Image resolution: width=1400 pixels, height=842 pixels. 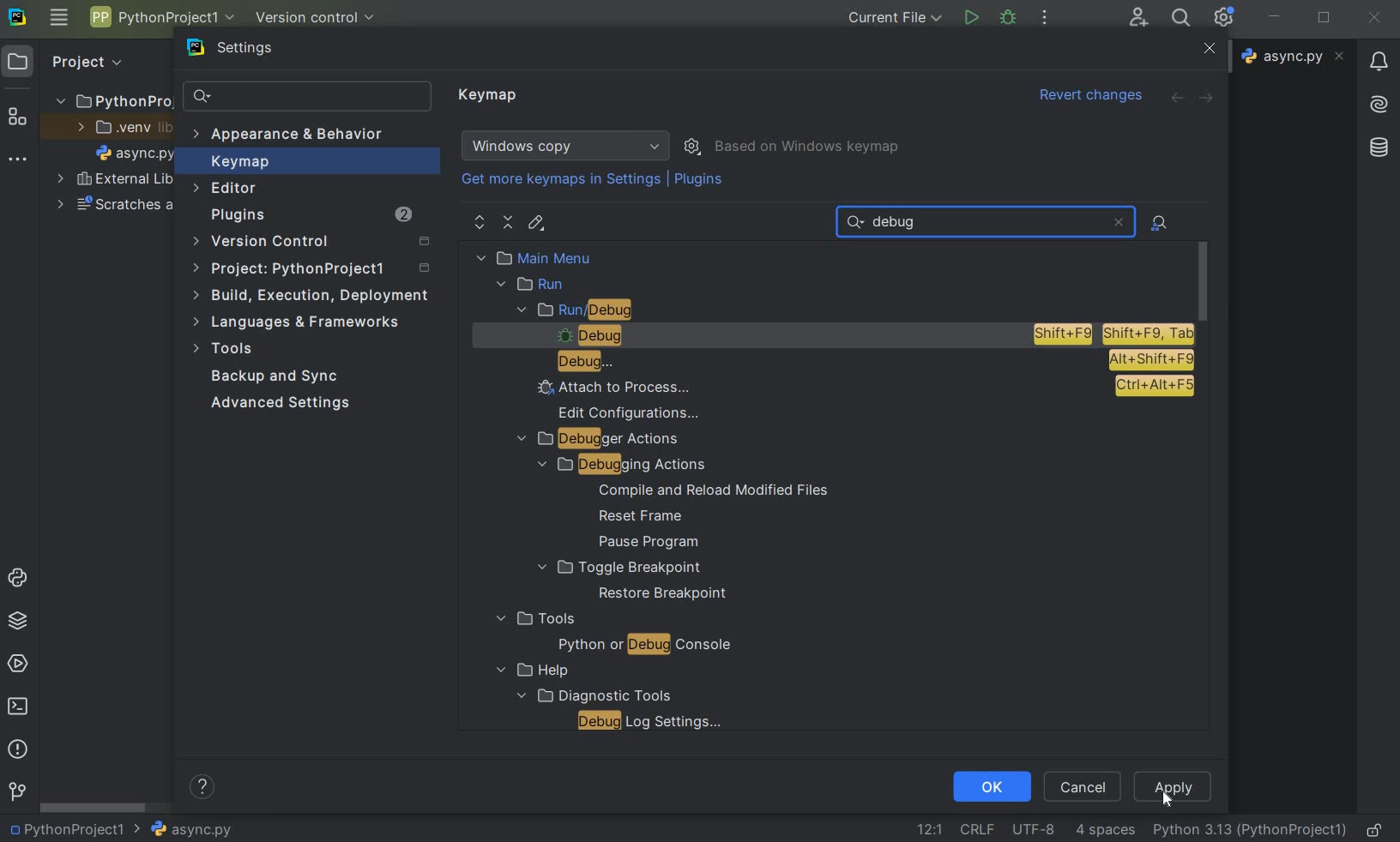 What do you see at coordinates (16, 15) in the screenshot?
I see `system logo` at bounding box center [16, 15].